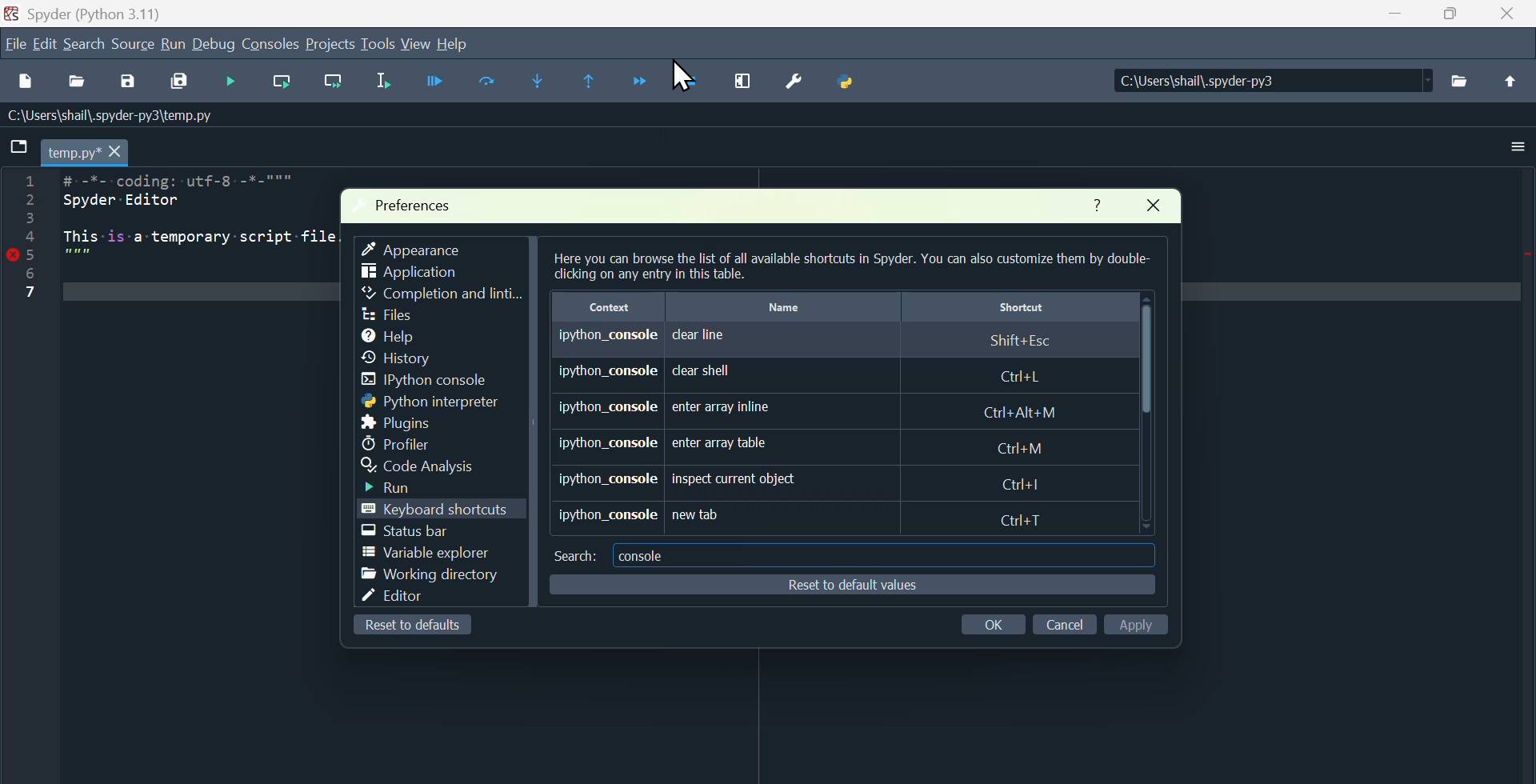 The image size is (1536, 784). I want to click on Python path manager, so click(860, 83).